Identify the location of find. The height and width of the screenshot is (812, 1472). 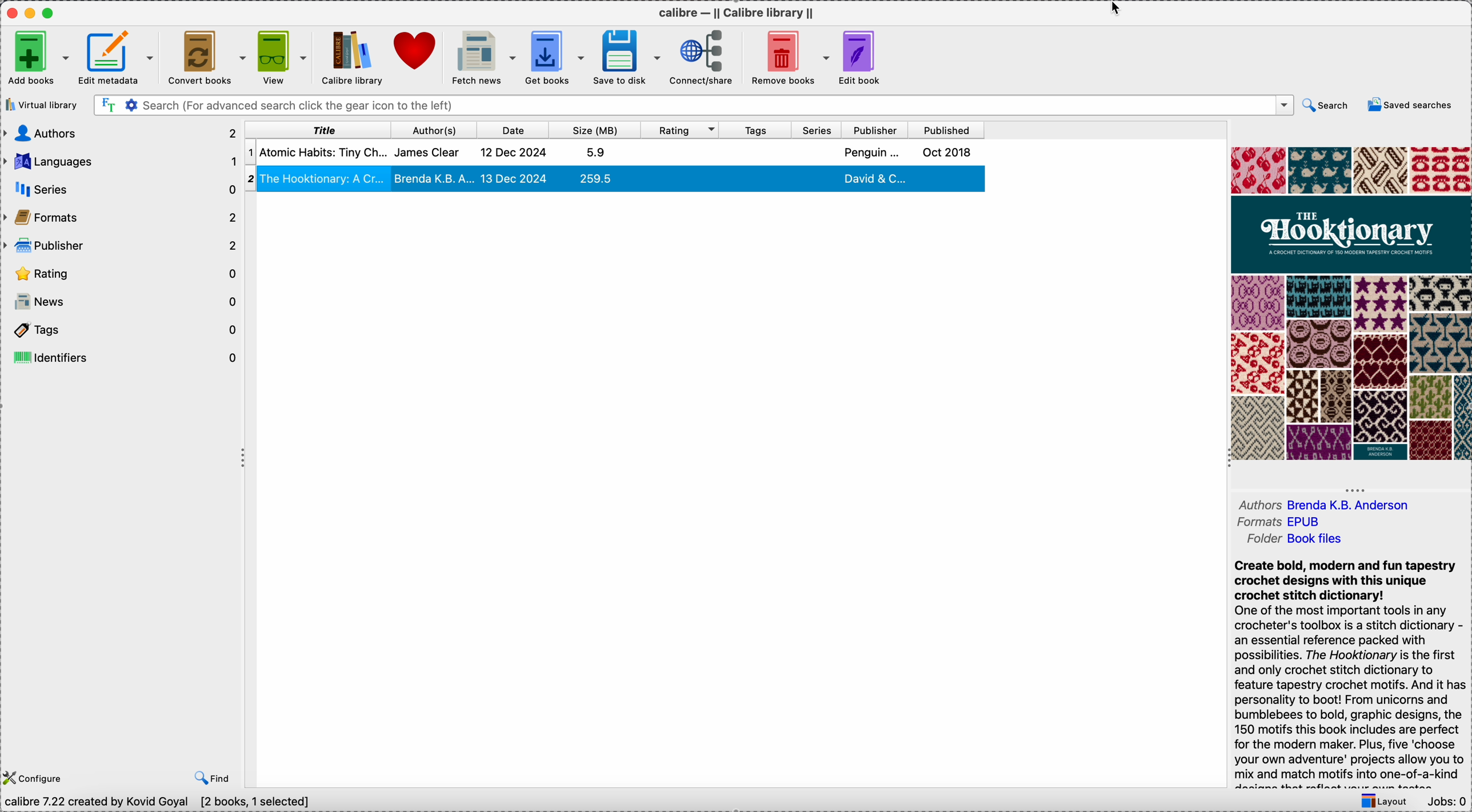
(213, 776).